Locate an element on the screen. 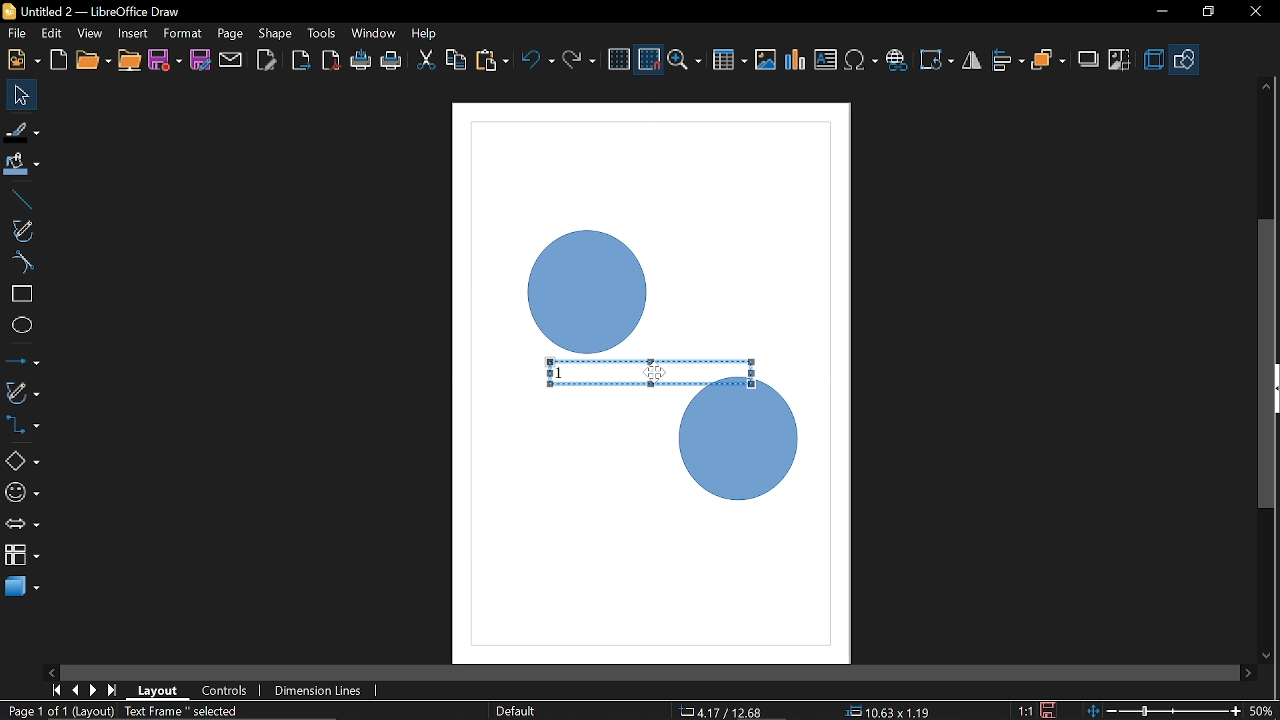 Image resolution: width=1280 pixels, height=720 pixels. Rectangle is located at coordinates (21, 294).